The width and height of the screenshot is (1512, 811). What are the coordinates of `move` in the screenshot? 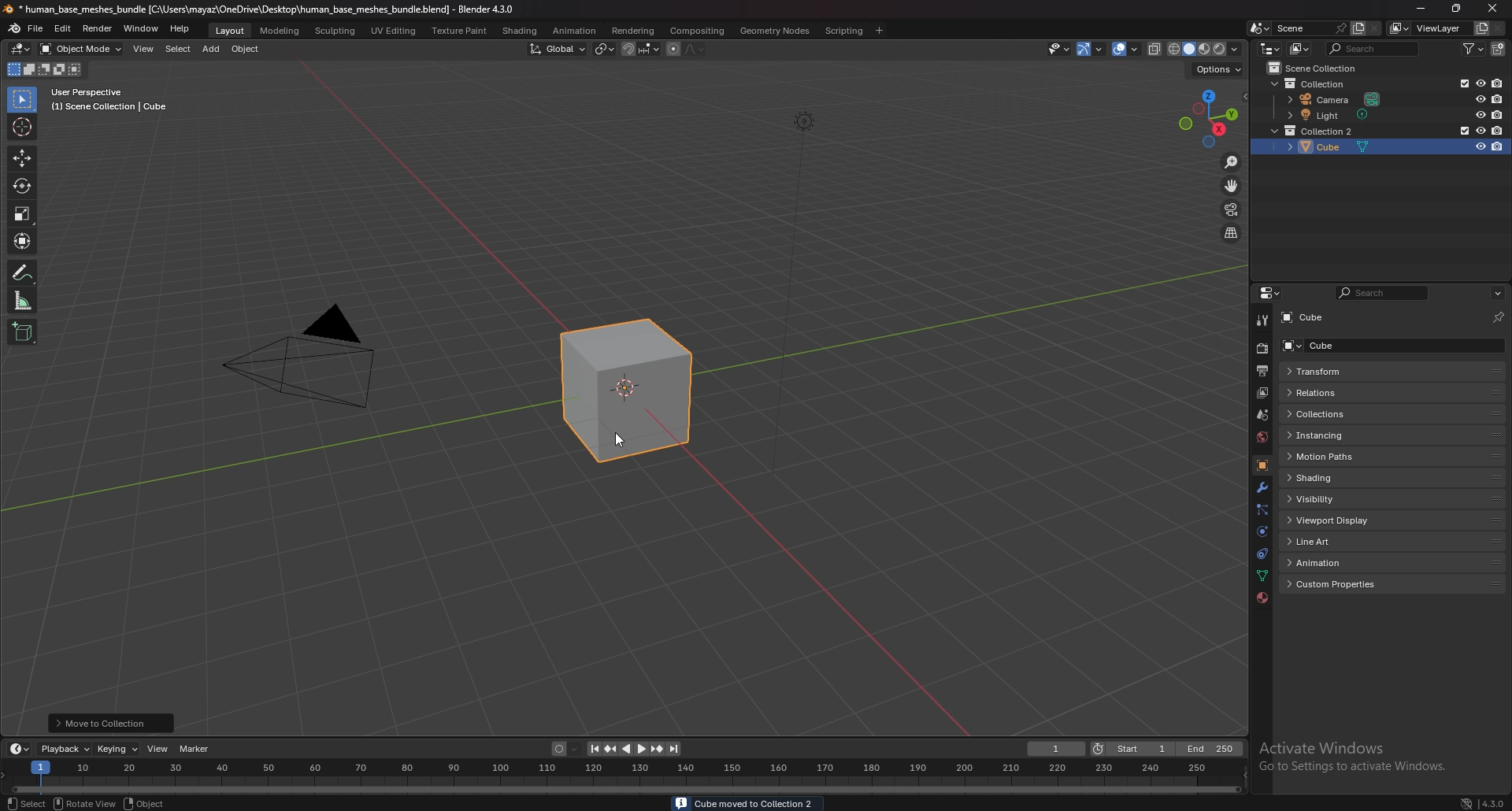 It's located at (22, 157).